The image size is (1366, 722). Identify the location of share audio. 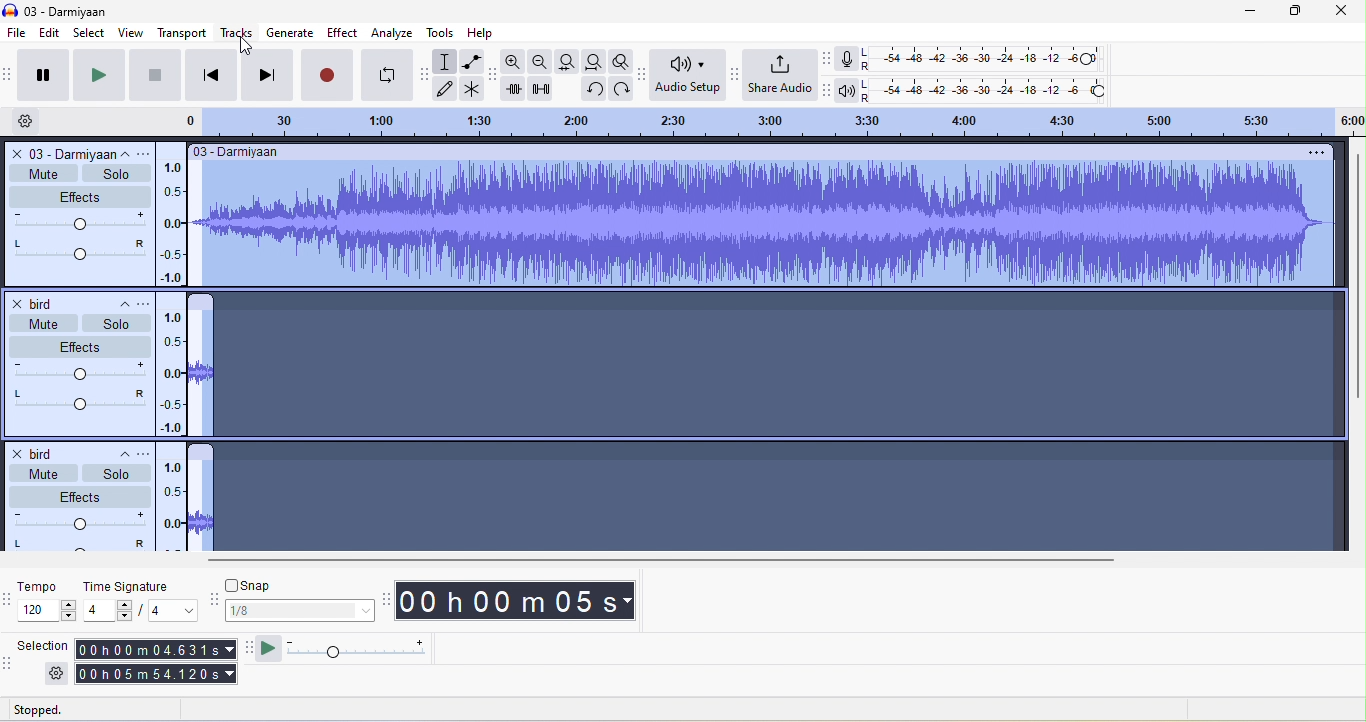
(783, 75).